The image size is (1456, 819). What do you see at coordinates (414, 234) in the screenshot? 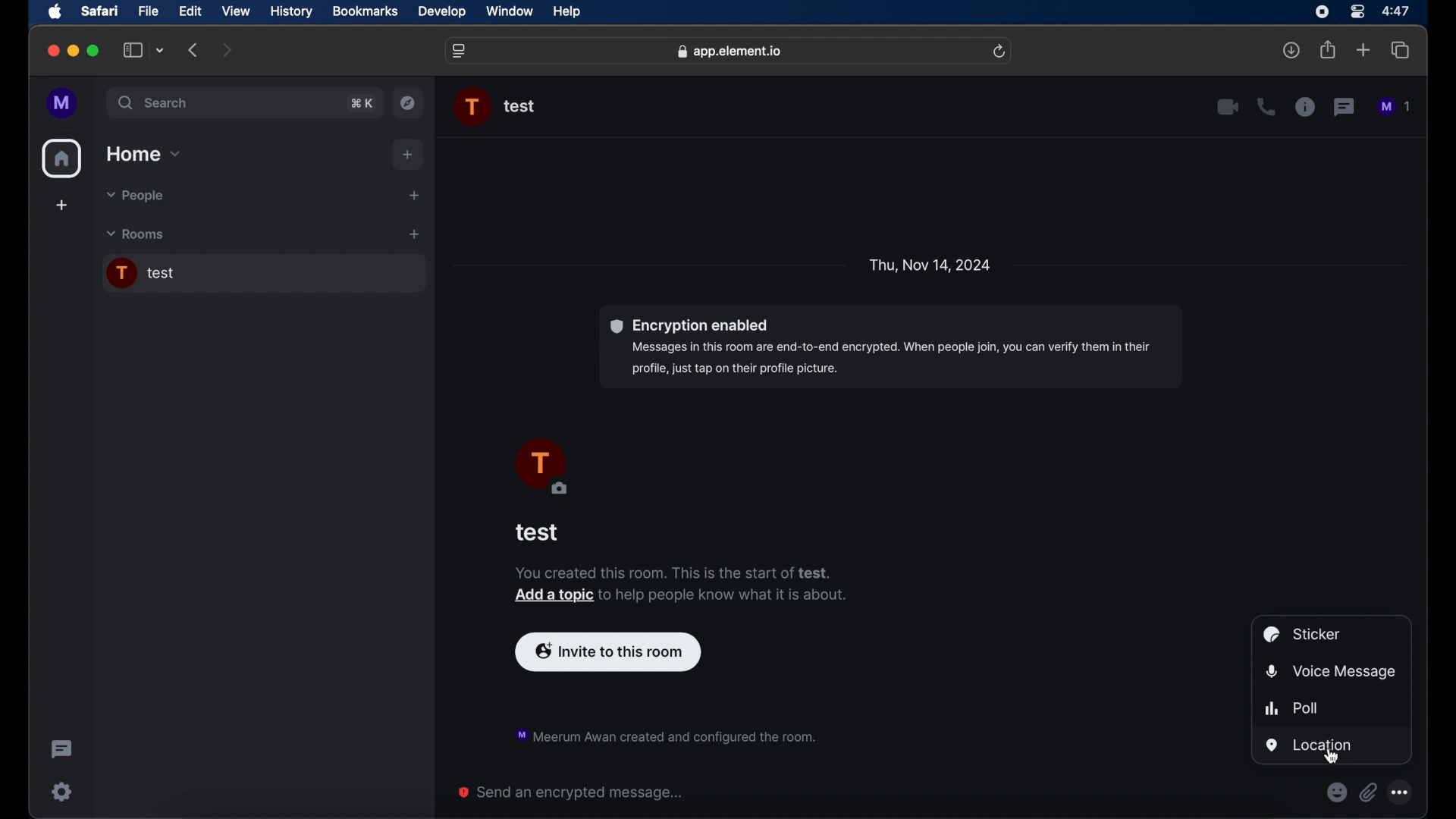
I see `add  room` at bounding box center [414, 234].